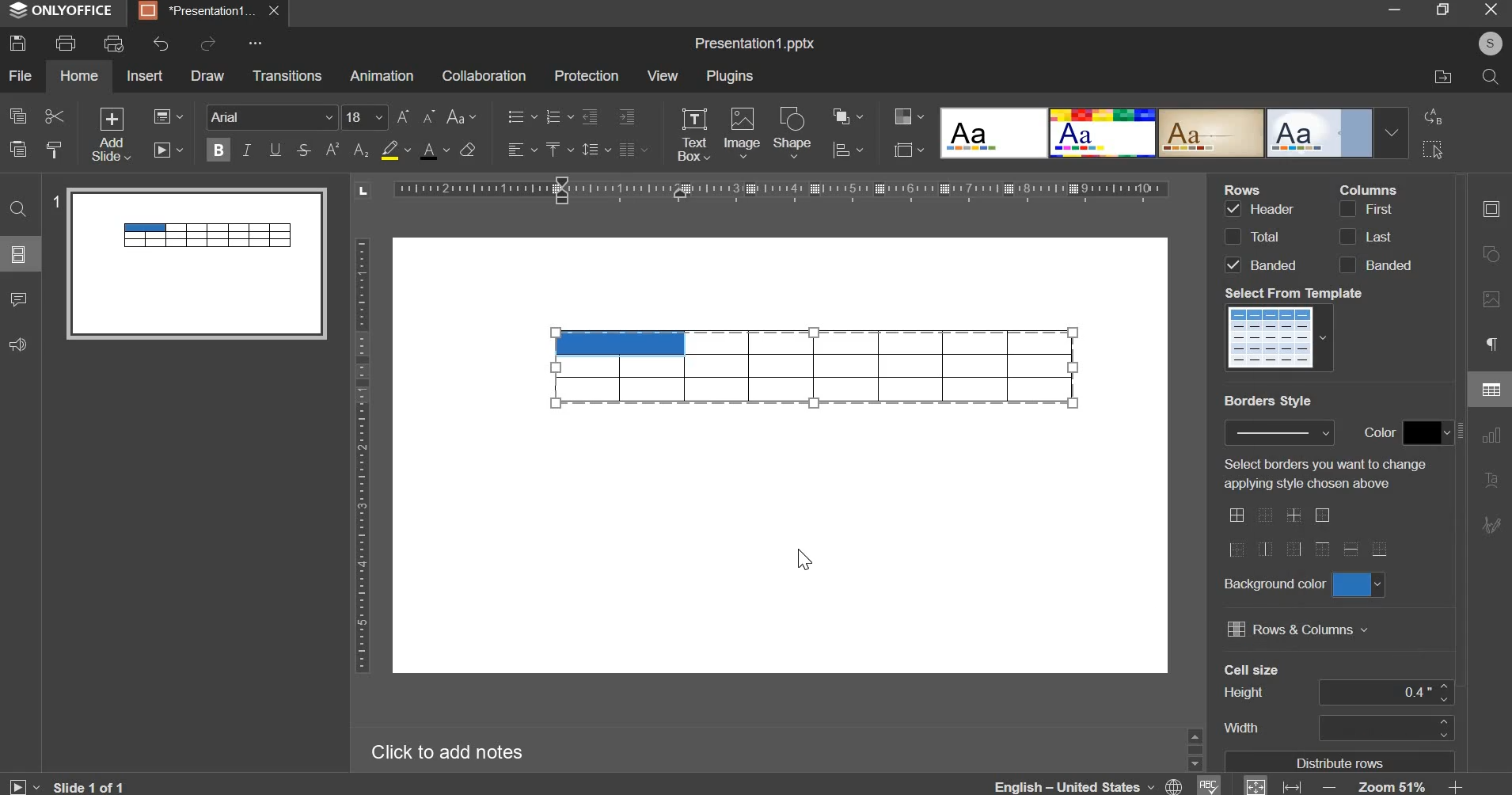  I want to click on vertical alignment, so click(557, 149).